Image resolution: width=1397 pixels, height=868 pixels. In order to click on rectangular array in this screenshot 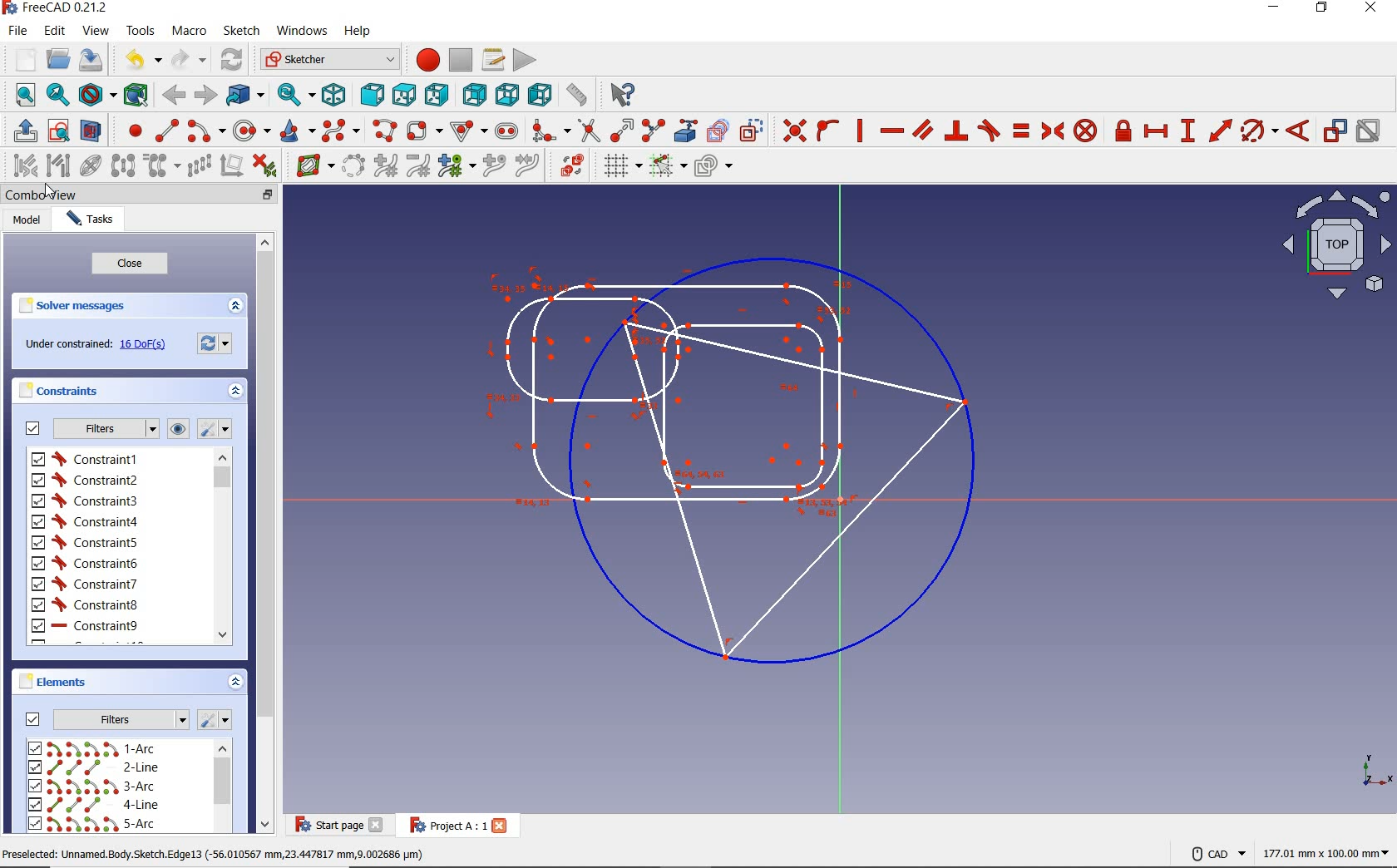, I will do `click(198, 166)`.